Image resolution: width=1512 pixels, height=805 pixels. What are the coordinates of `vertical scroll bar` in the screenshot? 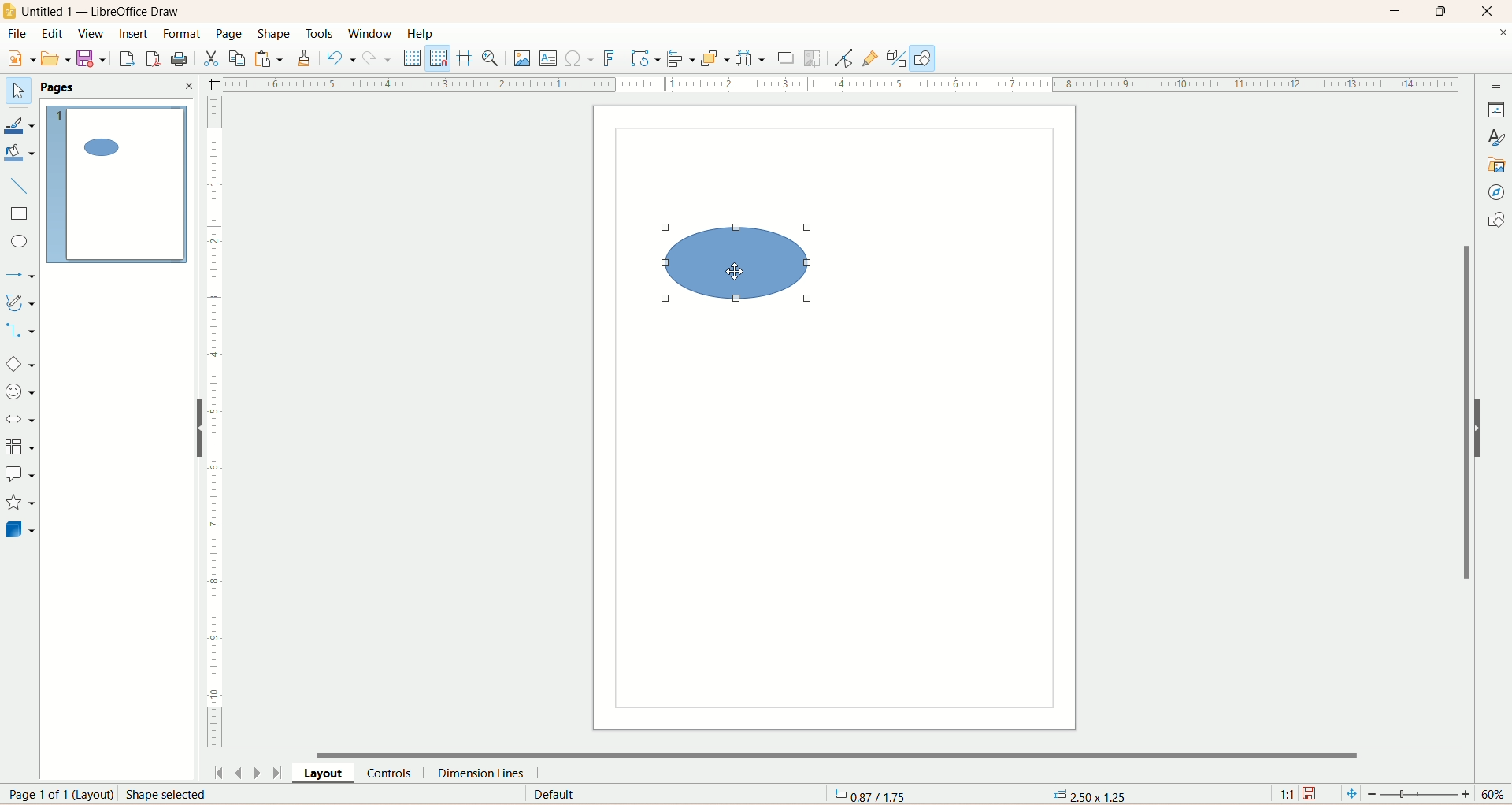 It's located at (1462, 421).